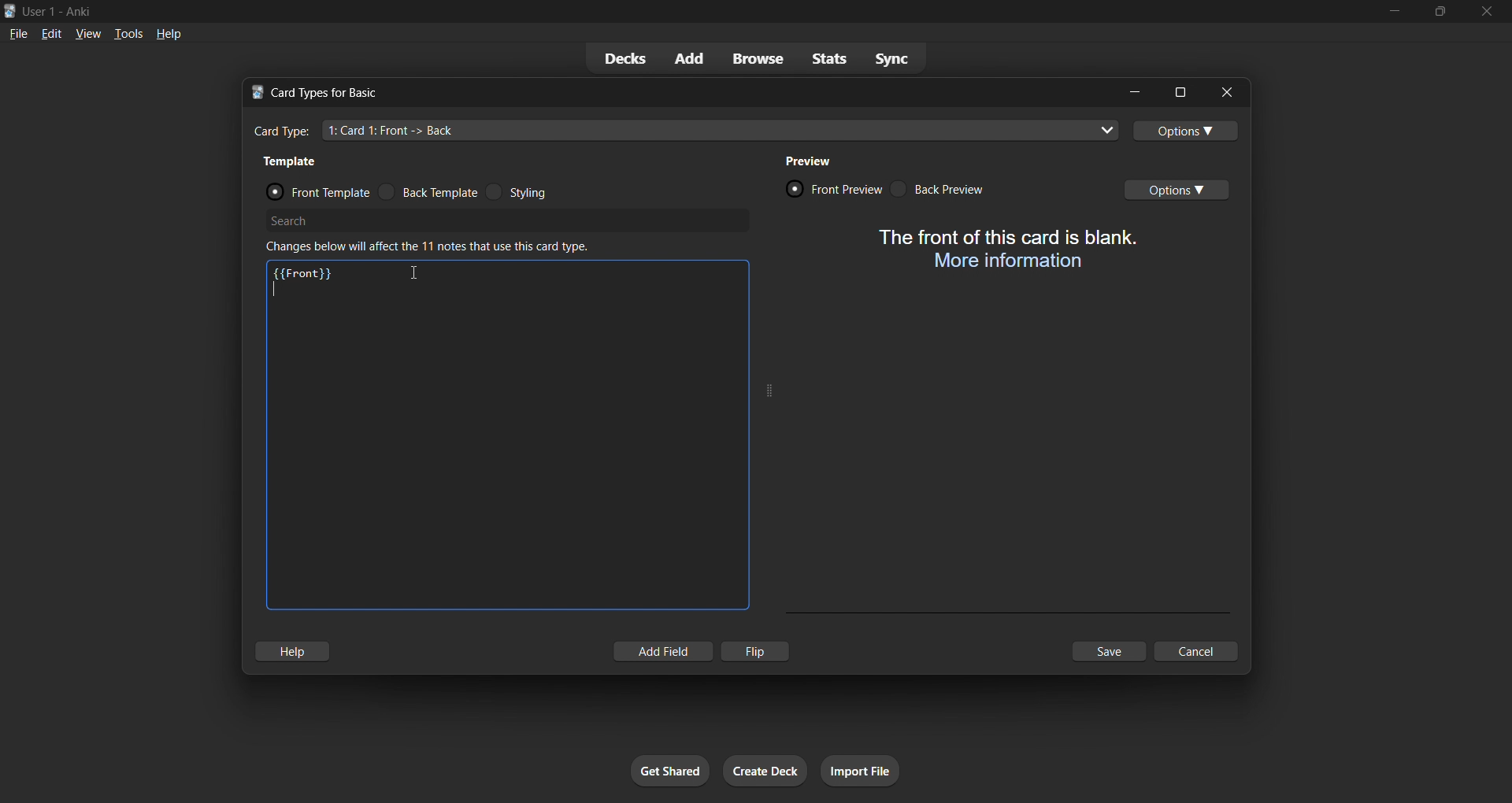 The width and height of the screenshot is (1512, 803). I want to click on front preview, so click(832, 187).